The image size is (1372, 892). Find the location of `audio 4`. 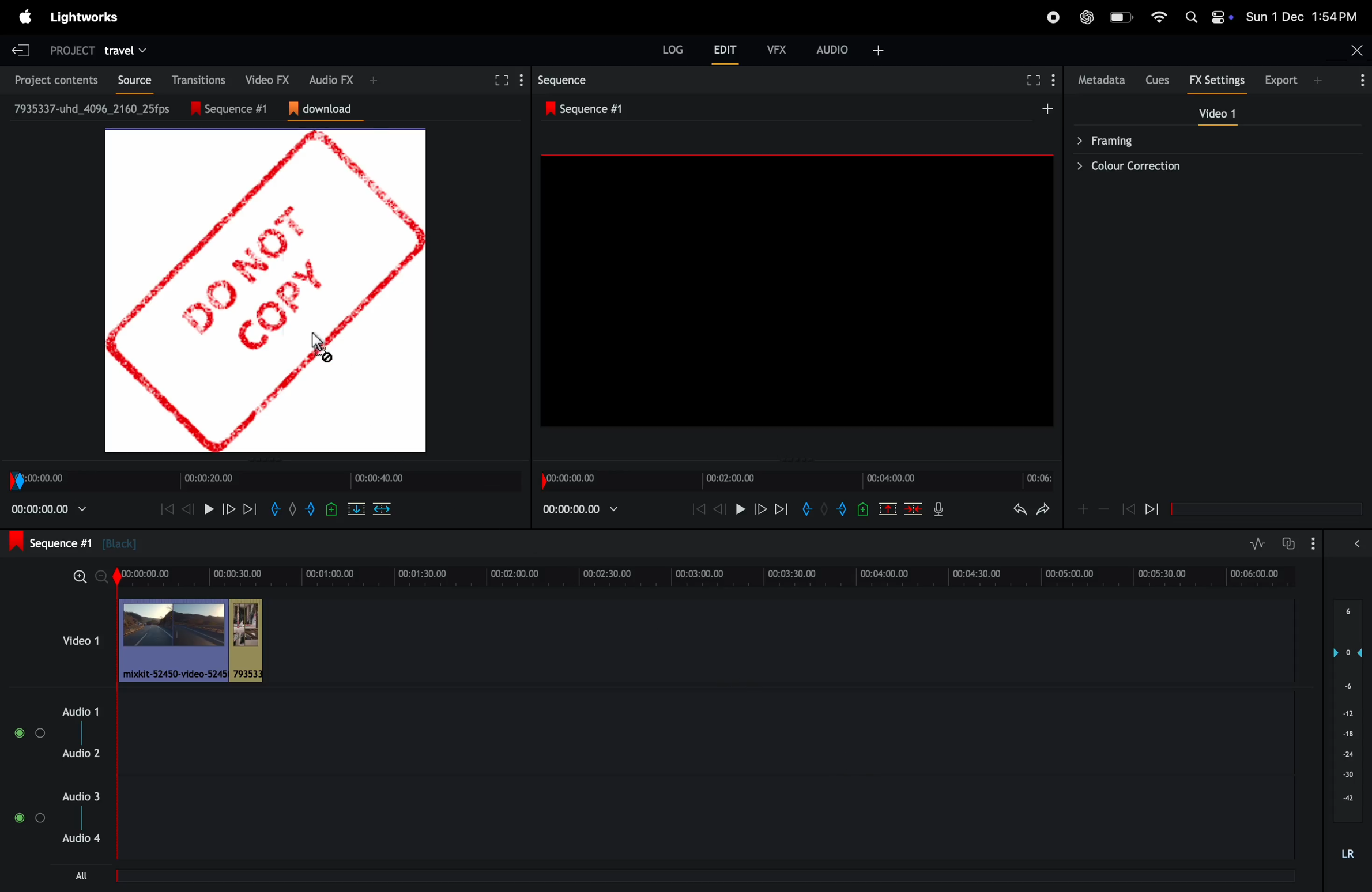

audio 4 is located at coordinates (79, 838).